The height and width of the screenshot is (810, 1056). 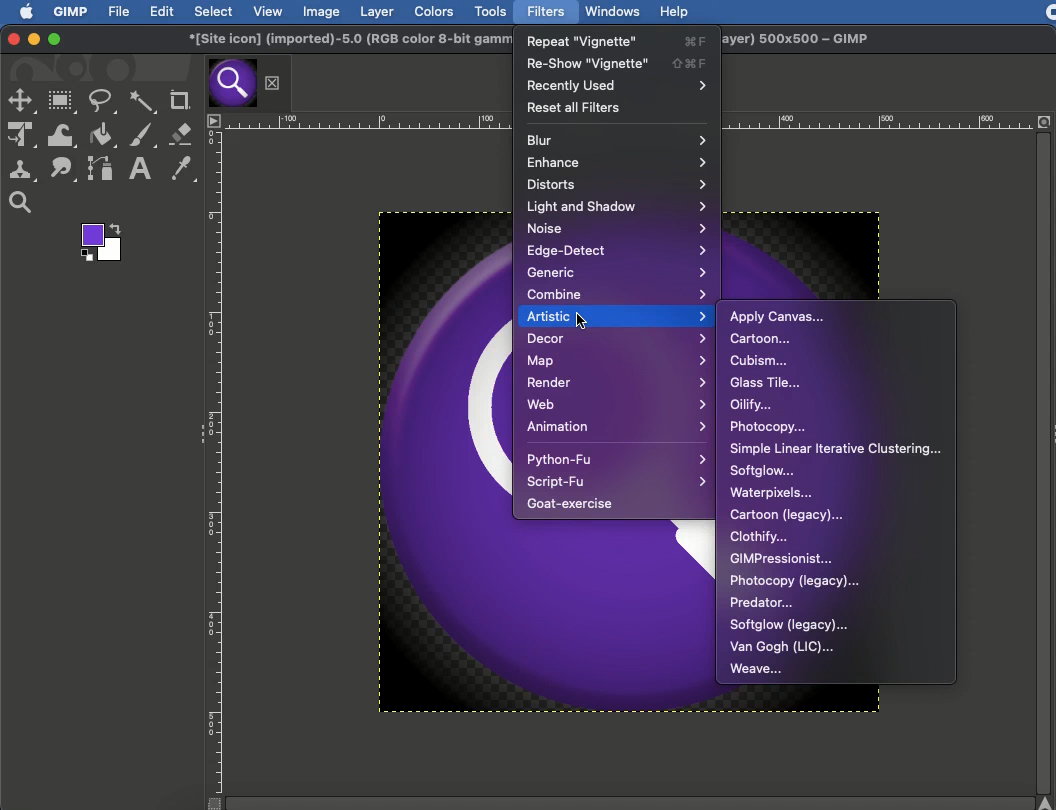 I want to click on Weave, so click(x=758, y=668).